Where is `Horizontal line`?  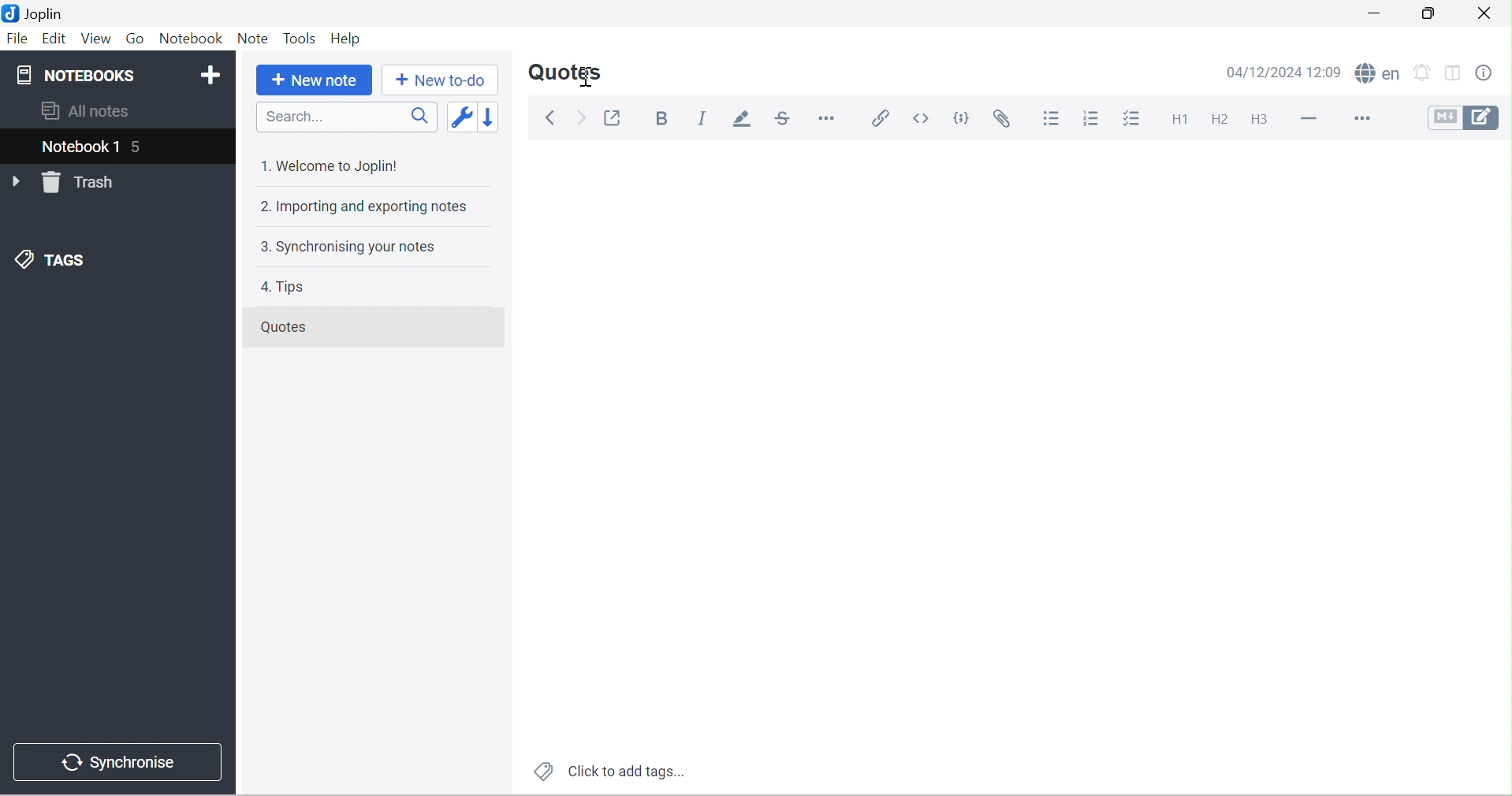 Horizontal line is located at coordinates (1304, 121).